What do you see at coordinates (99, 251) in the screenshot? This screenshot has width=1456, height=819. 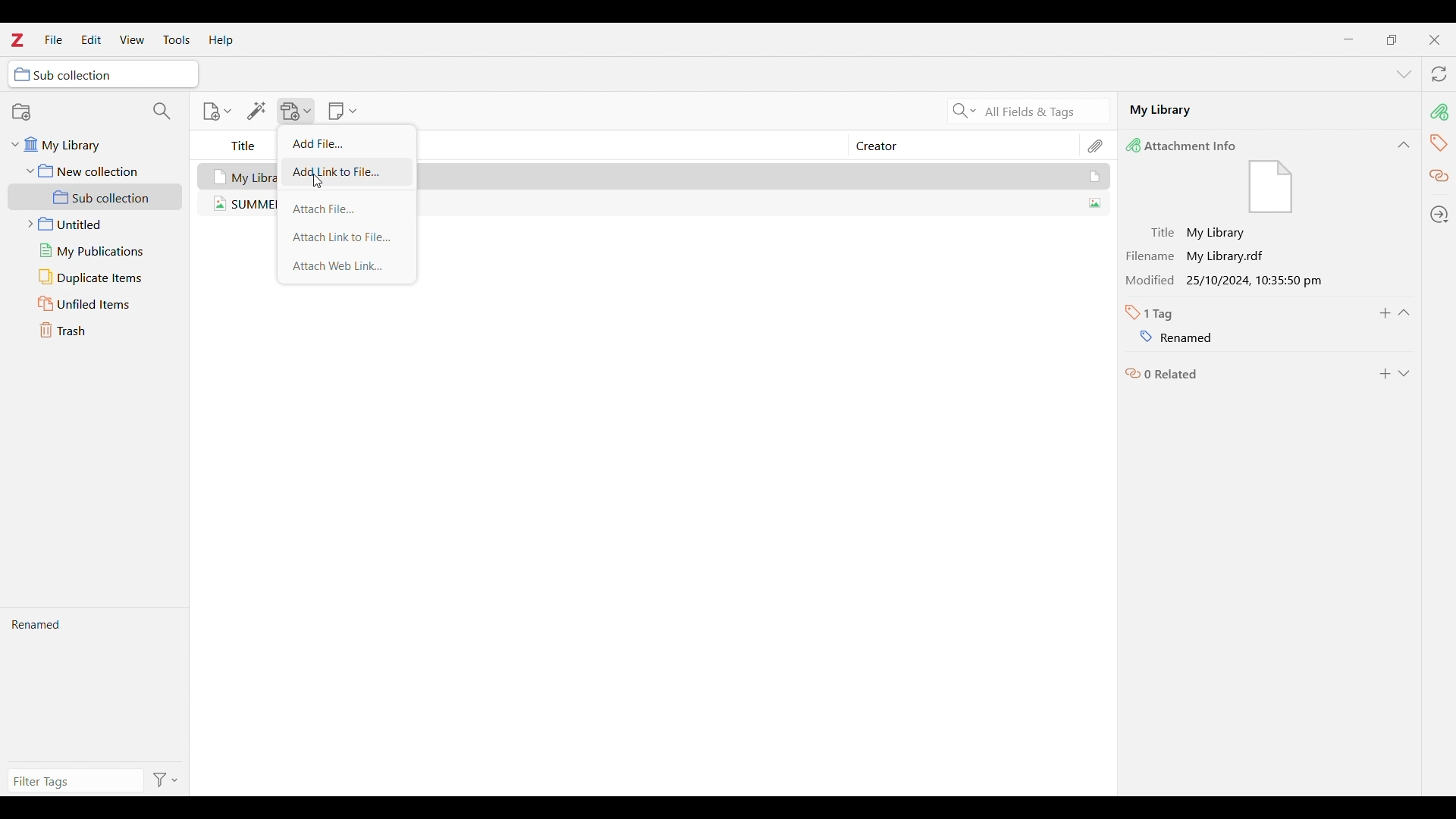 I see `My publications folder` at bounding box center [99, 251].